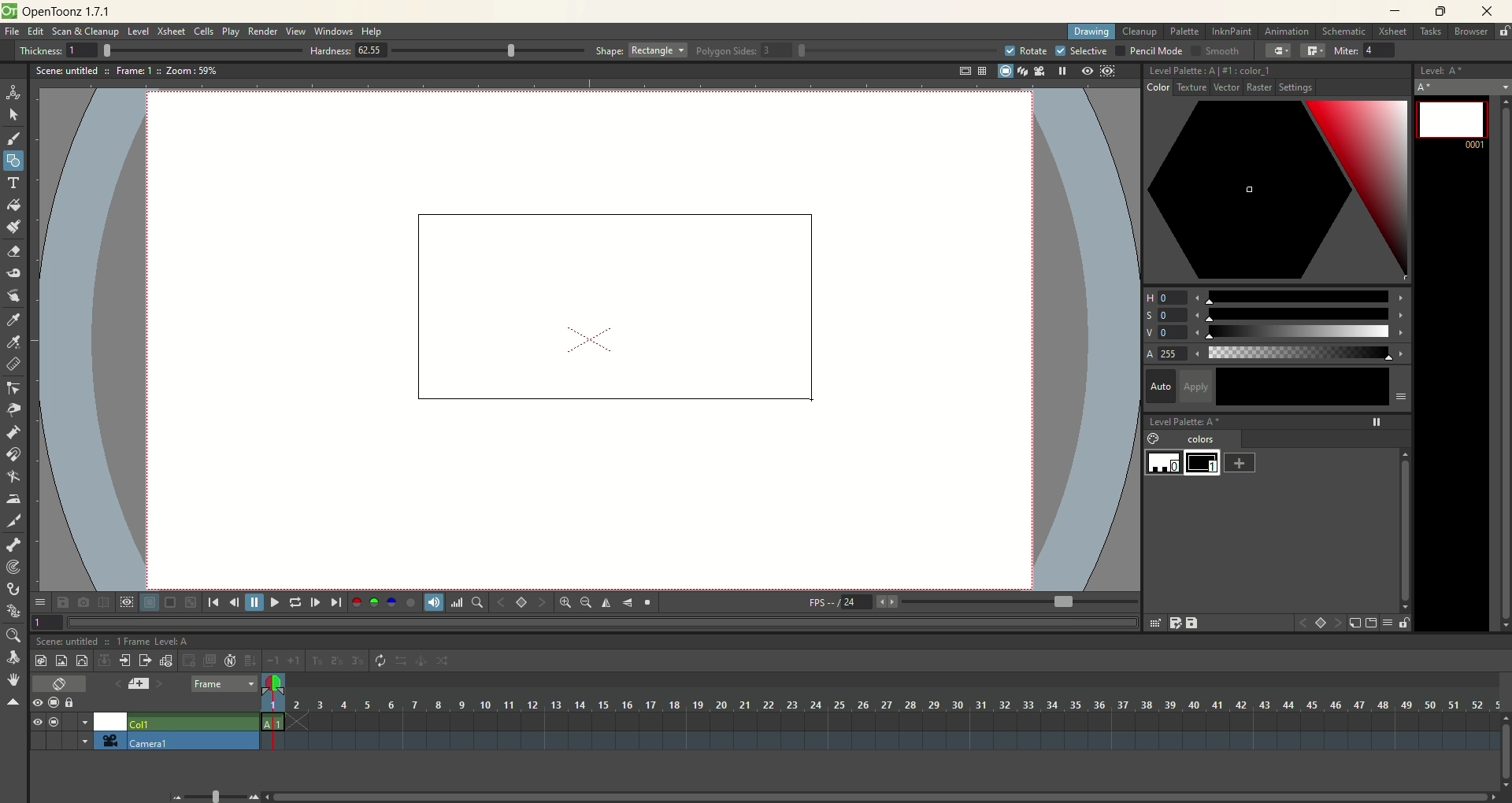  What do you see at coordinates (250, 661) in the screenshot?
I see `fill in empty cells` at bounding box center [250, 661].